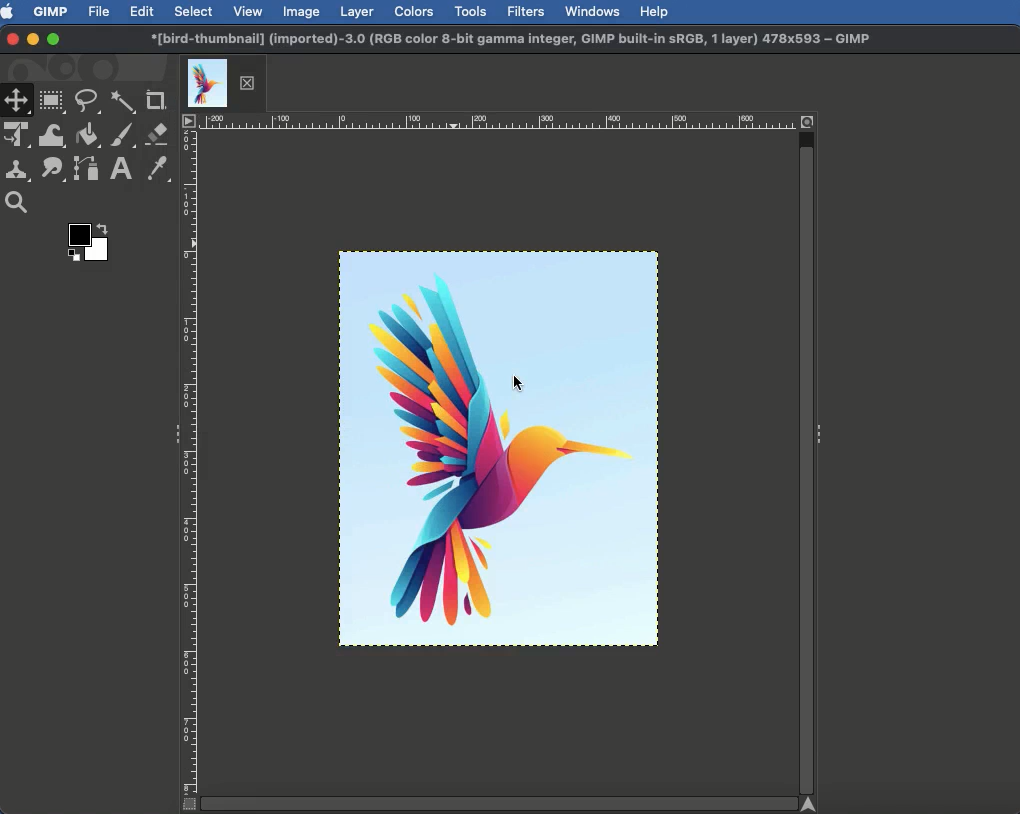  I want to click on Minimize, so click(32, 38).